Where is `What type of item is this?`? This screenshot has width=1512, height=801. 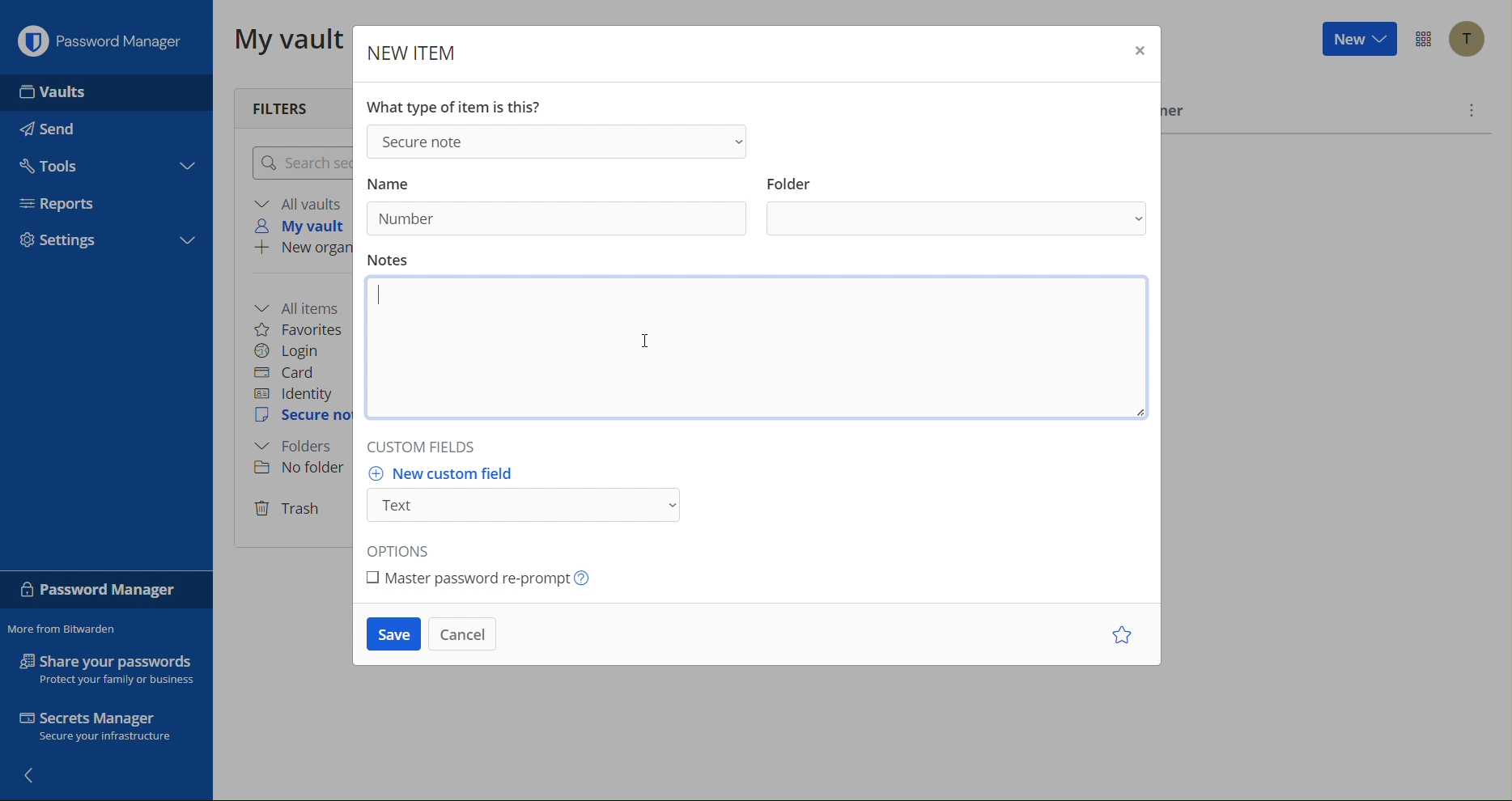 What type of item is this? is located at coordinates (456, 107).